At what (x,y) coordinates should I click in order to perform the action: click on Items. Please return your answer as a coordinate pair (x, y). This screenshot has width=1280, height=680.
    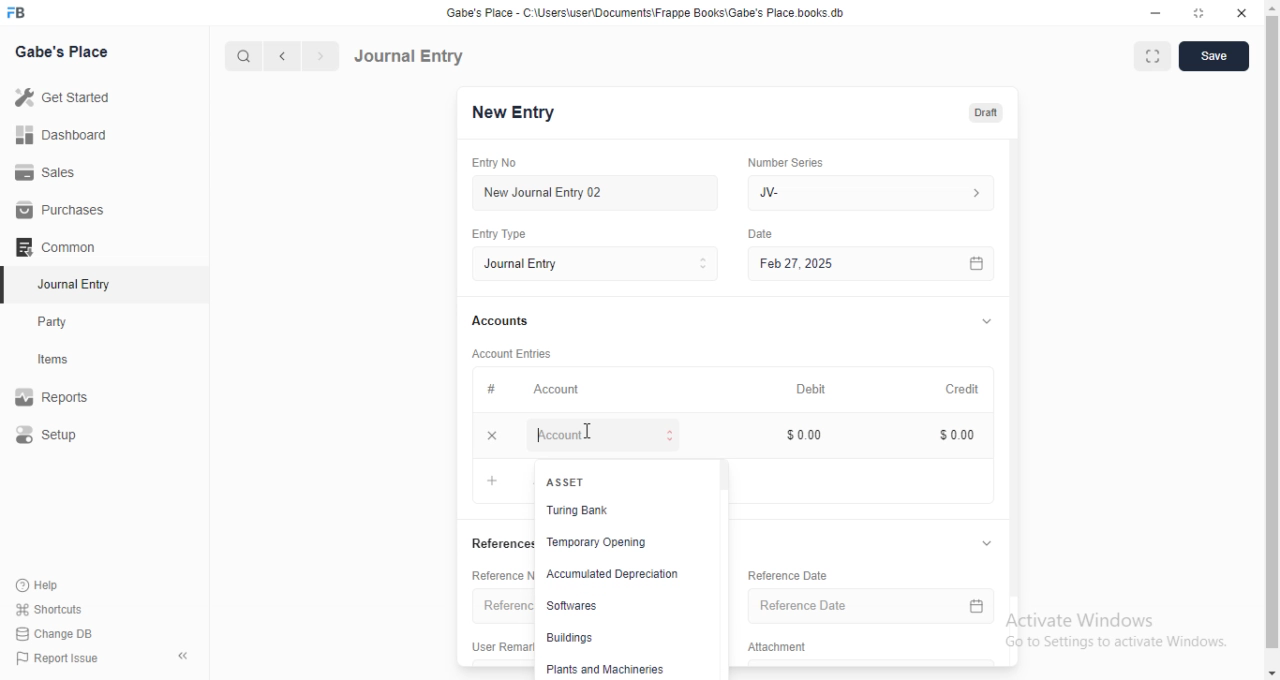
    Looking at the image, I should click on (55, 360).